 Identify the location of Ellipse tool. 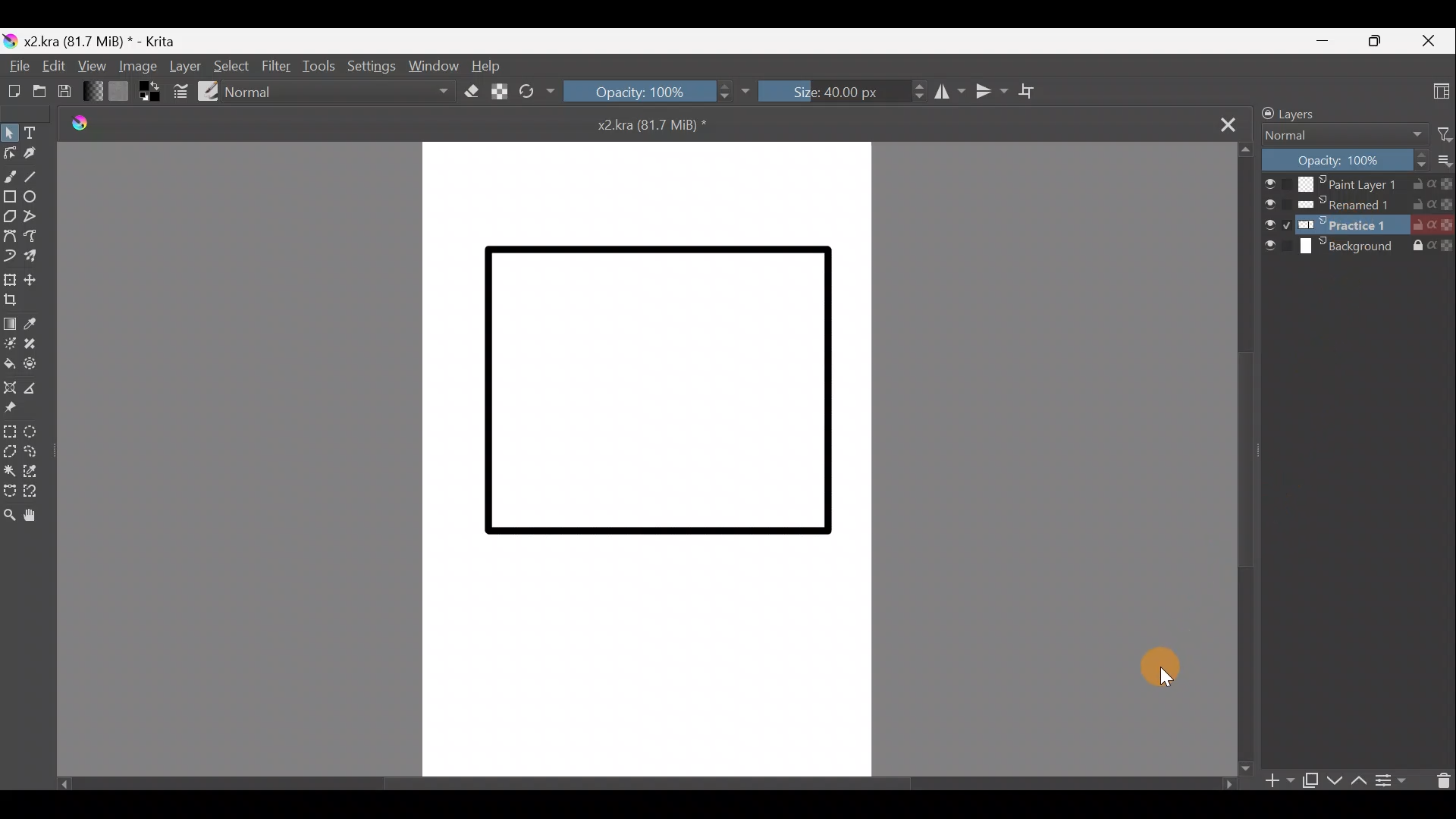
(37, 194).